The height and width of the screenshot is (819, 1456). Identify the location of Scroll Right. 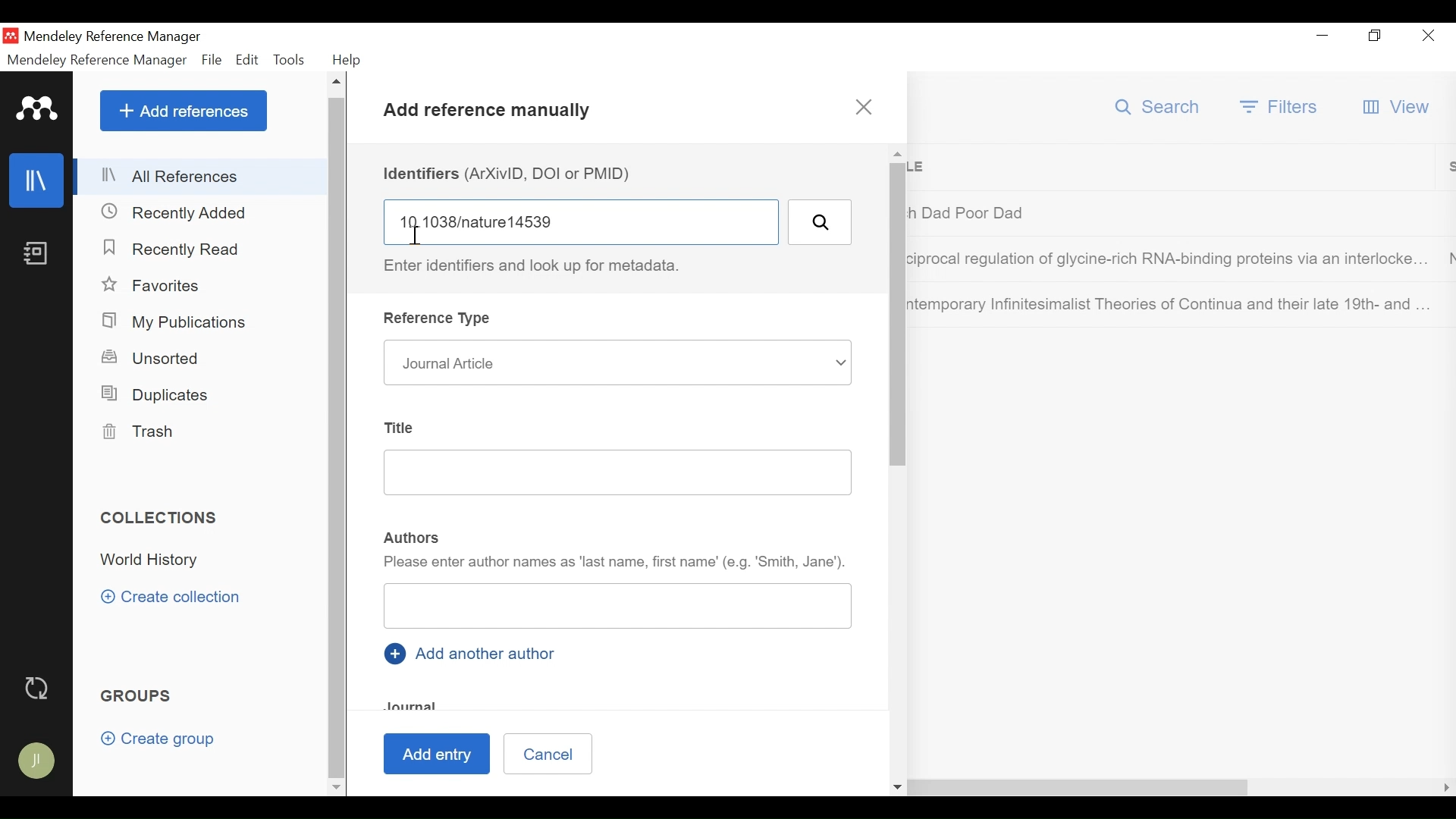
(1447, 788).